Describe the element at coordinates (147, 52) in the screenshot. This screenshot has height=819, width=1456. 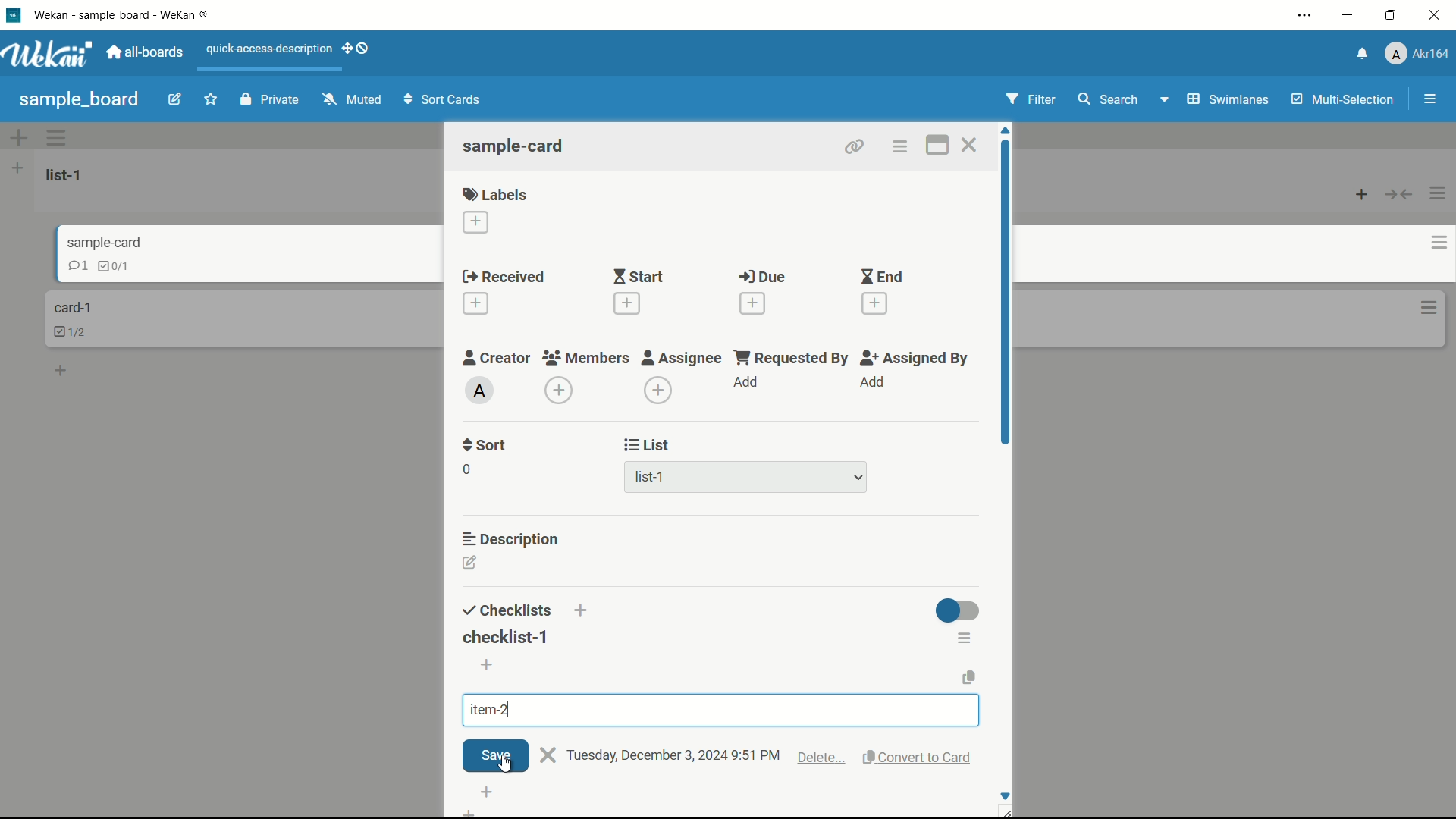
I see `all boards` at that location.